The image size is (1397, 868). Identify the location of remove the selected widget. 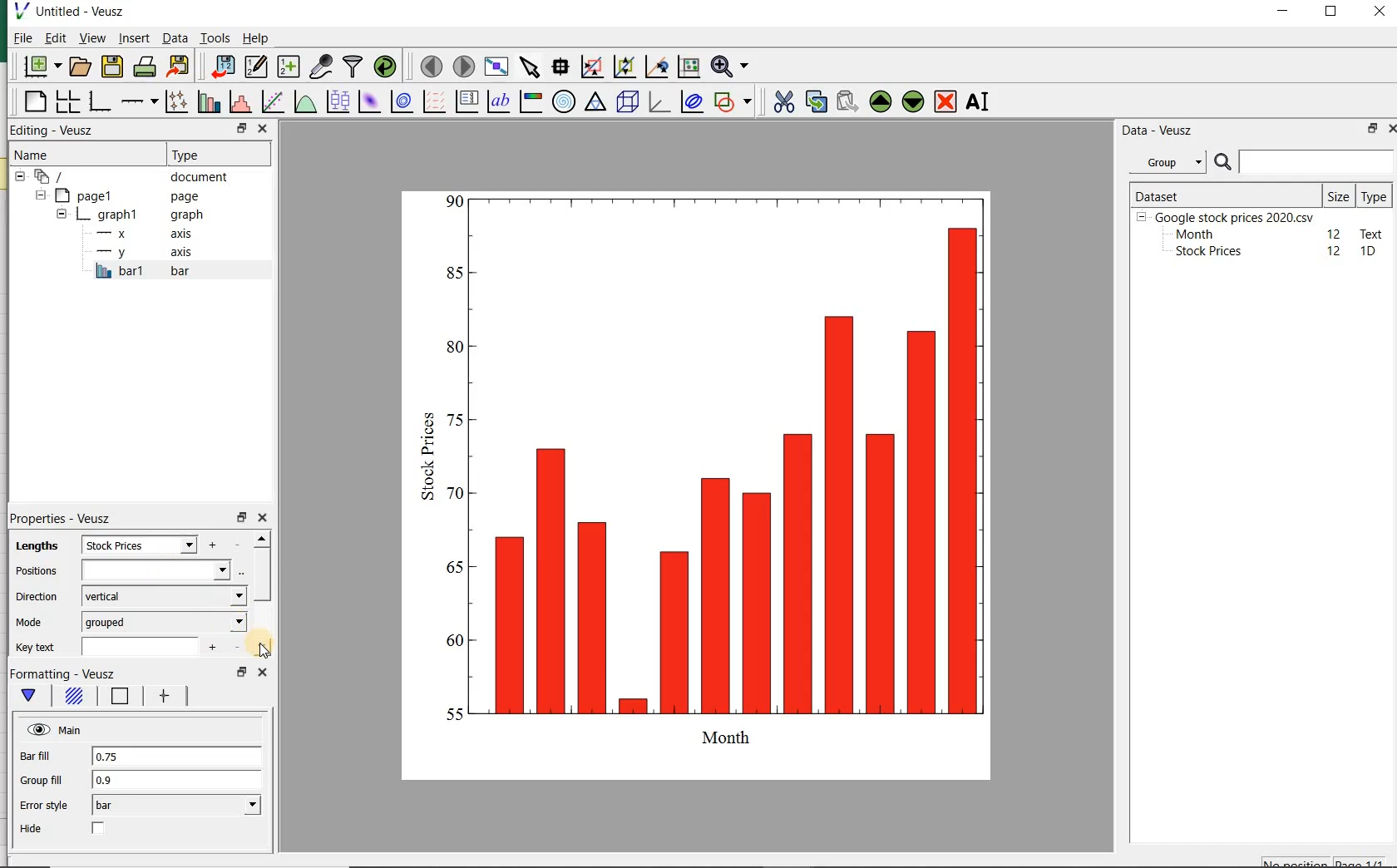
(946, 101).